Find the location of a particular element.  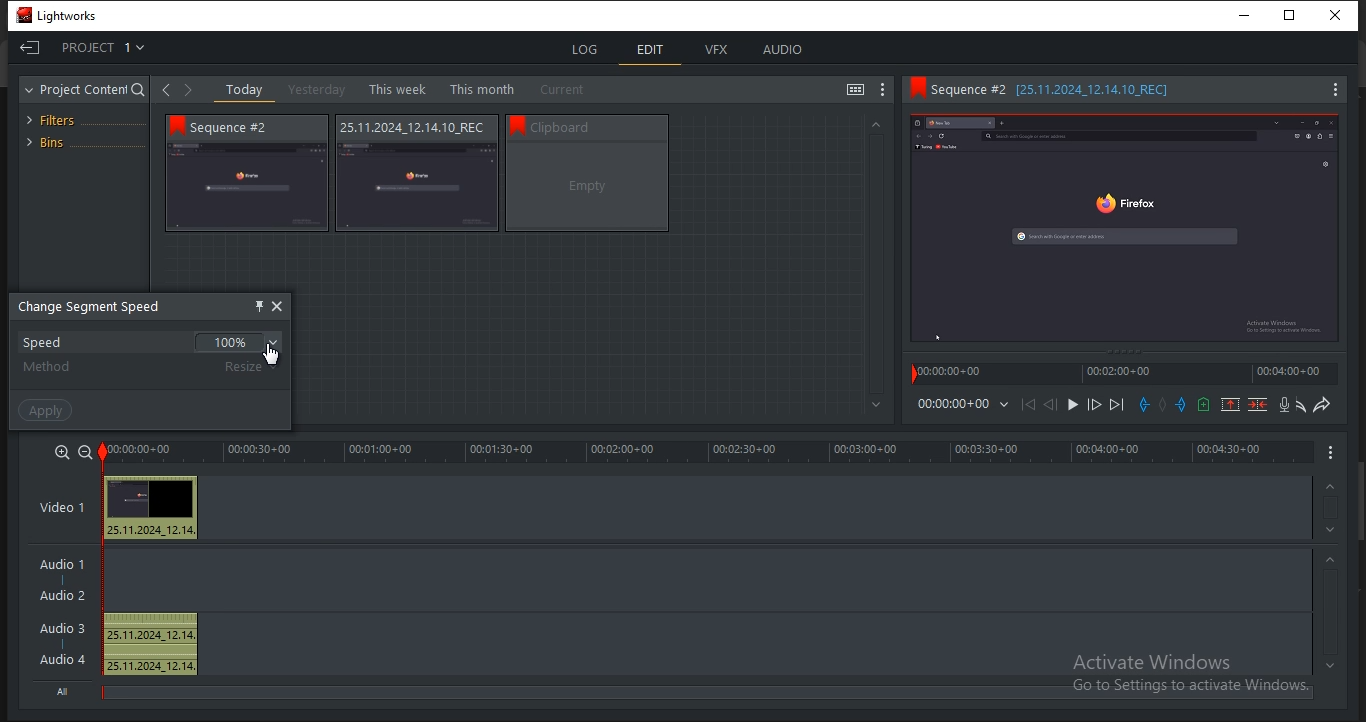

Back is located at coordinates (166, 90).